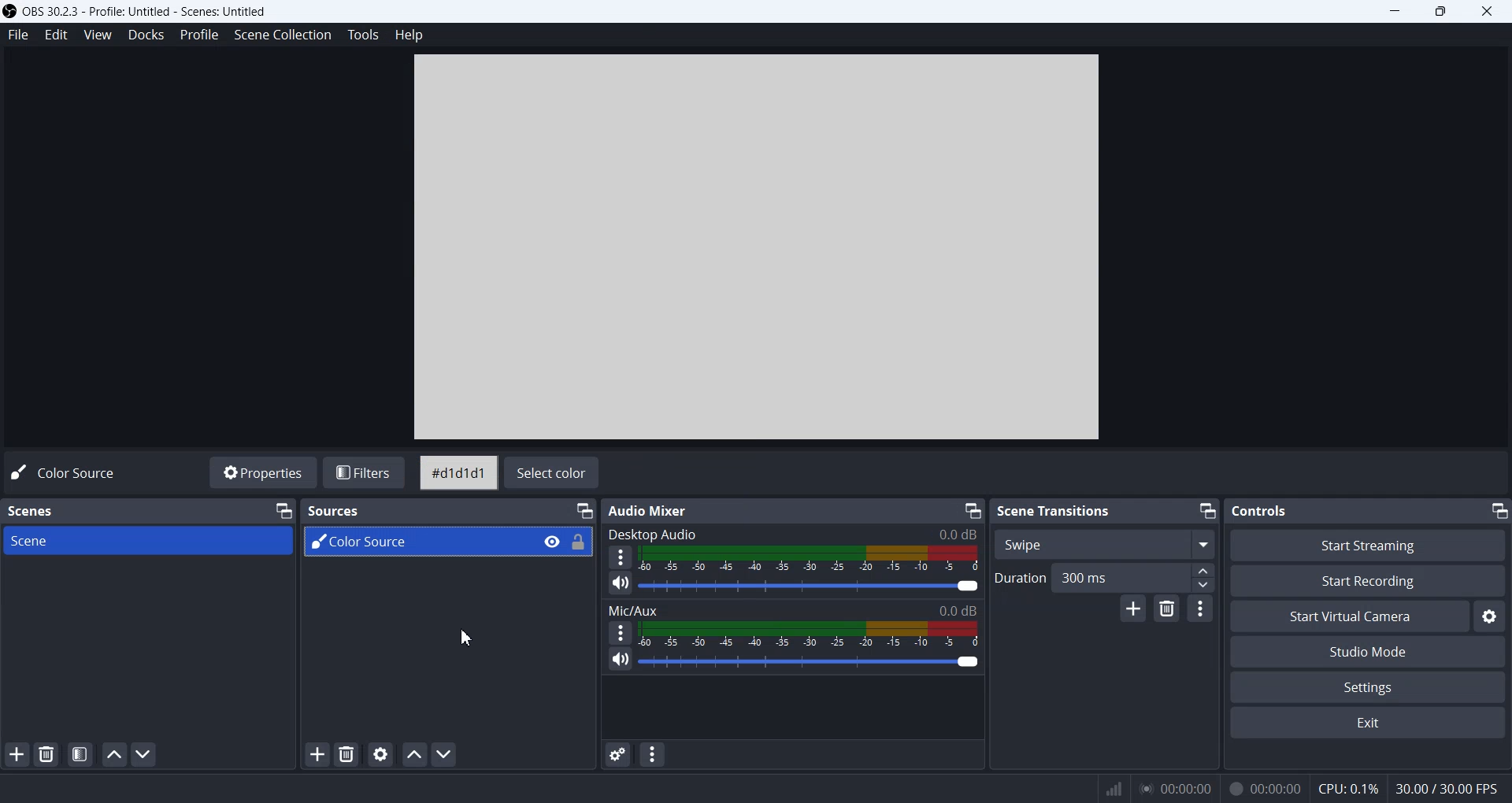 The image size is (1512, 803). Describe the element at coordinates (620, 632) in the screenshot. I see `More` at that location.